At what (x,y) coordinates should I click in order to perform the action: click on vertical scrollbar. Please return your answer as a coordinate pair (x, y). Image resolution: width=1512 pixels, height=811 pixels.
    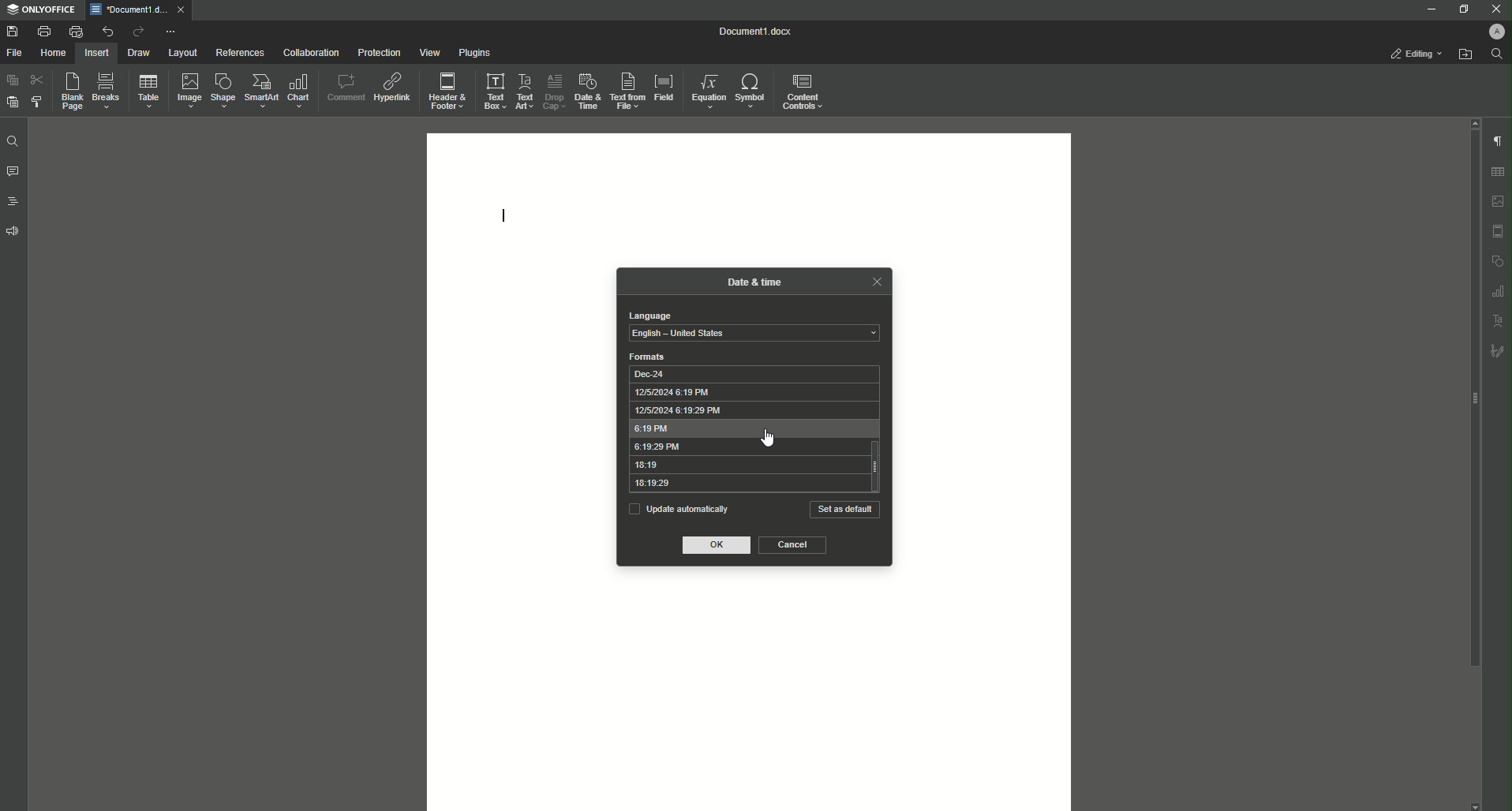
    Looking at the image, I should click on (878, 465).